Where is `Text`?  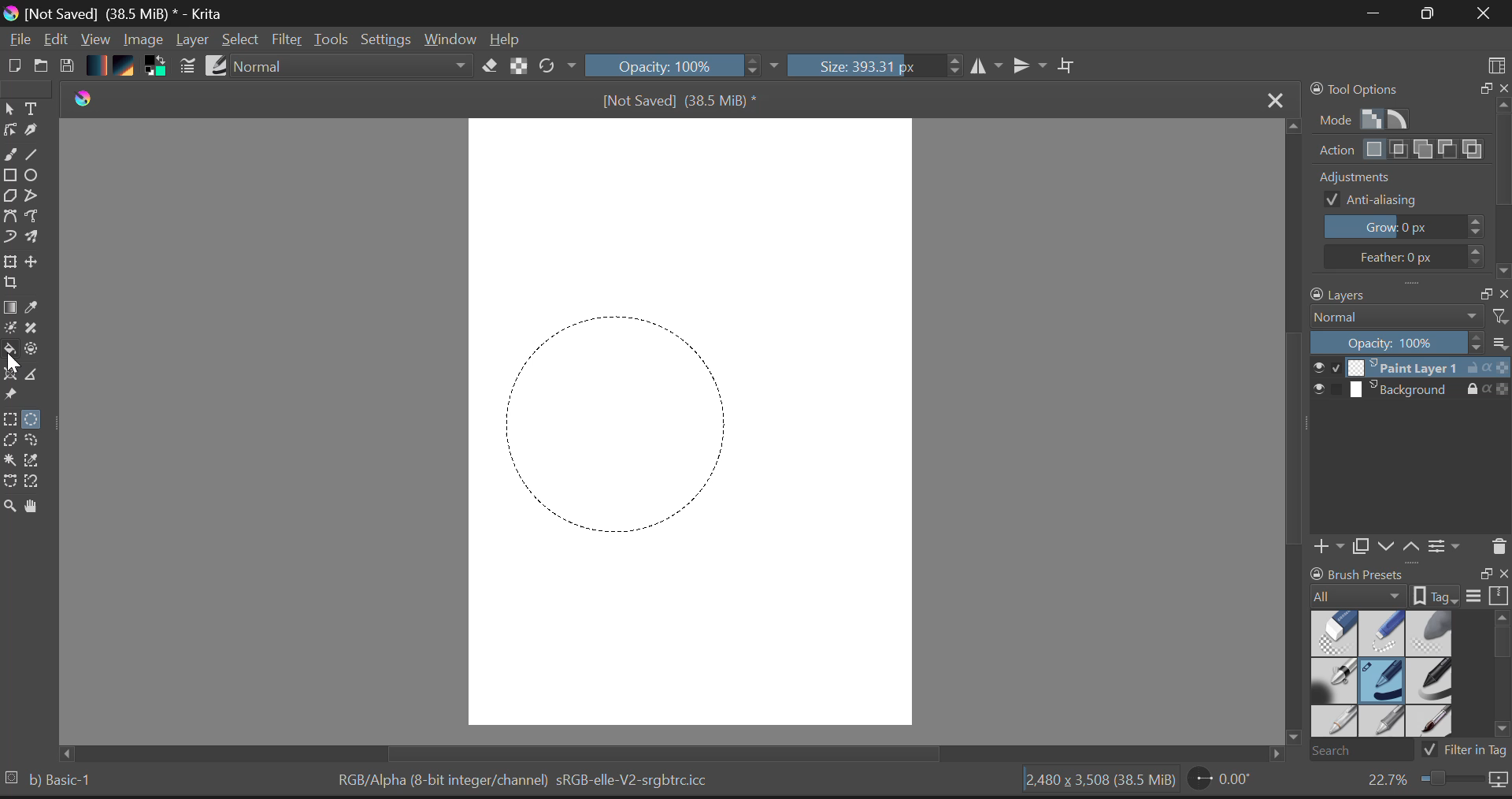
Text is located at coordinates (32, 109).